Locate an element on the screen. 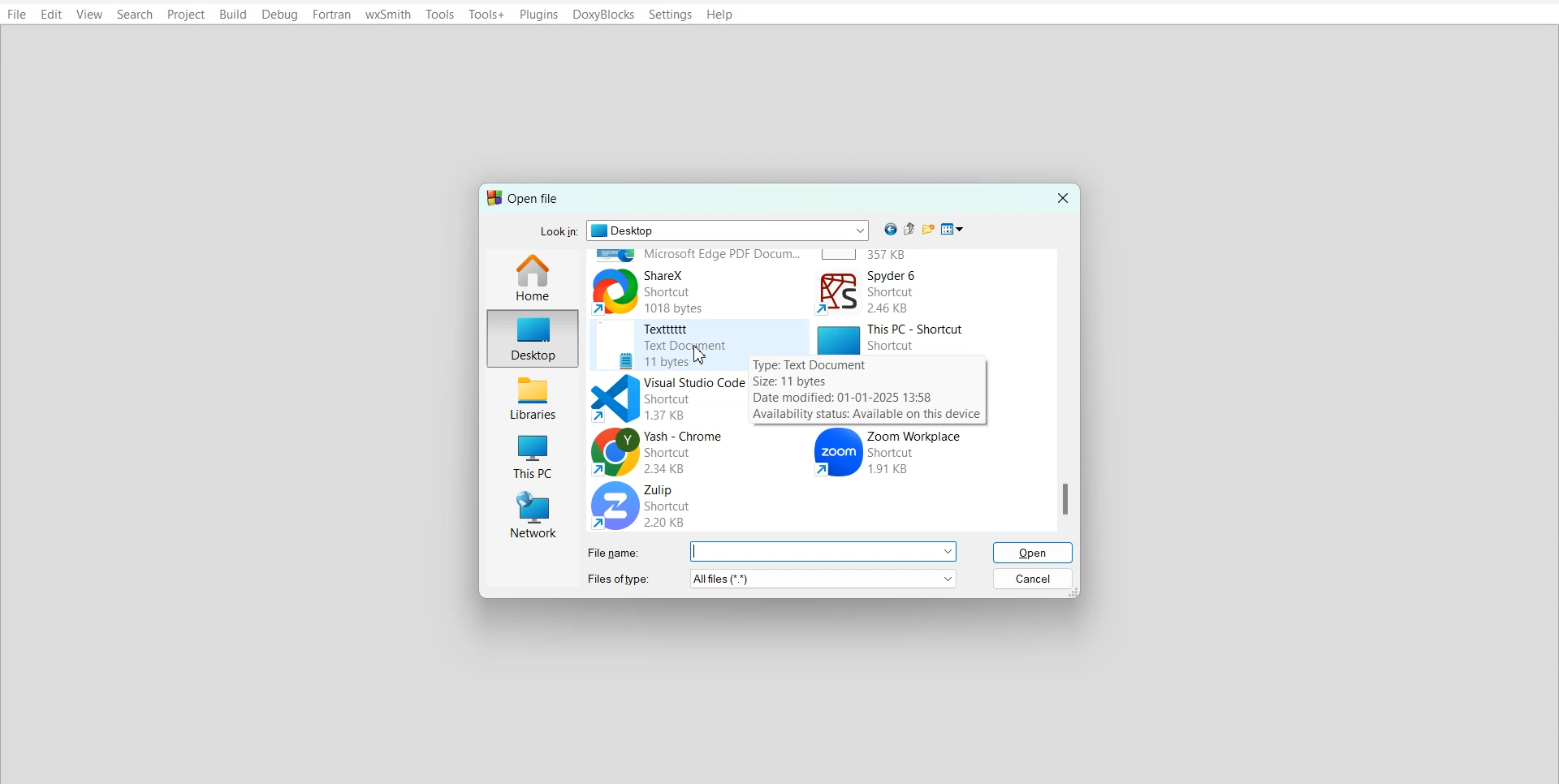  Tools+ is located at coordinates (487, 15).